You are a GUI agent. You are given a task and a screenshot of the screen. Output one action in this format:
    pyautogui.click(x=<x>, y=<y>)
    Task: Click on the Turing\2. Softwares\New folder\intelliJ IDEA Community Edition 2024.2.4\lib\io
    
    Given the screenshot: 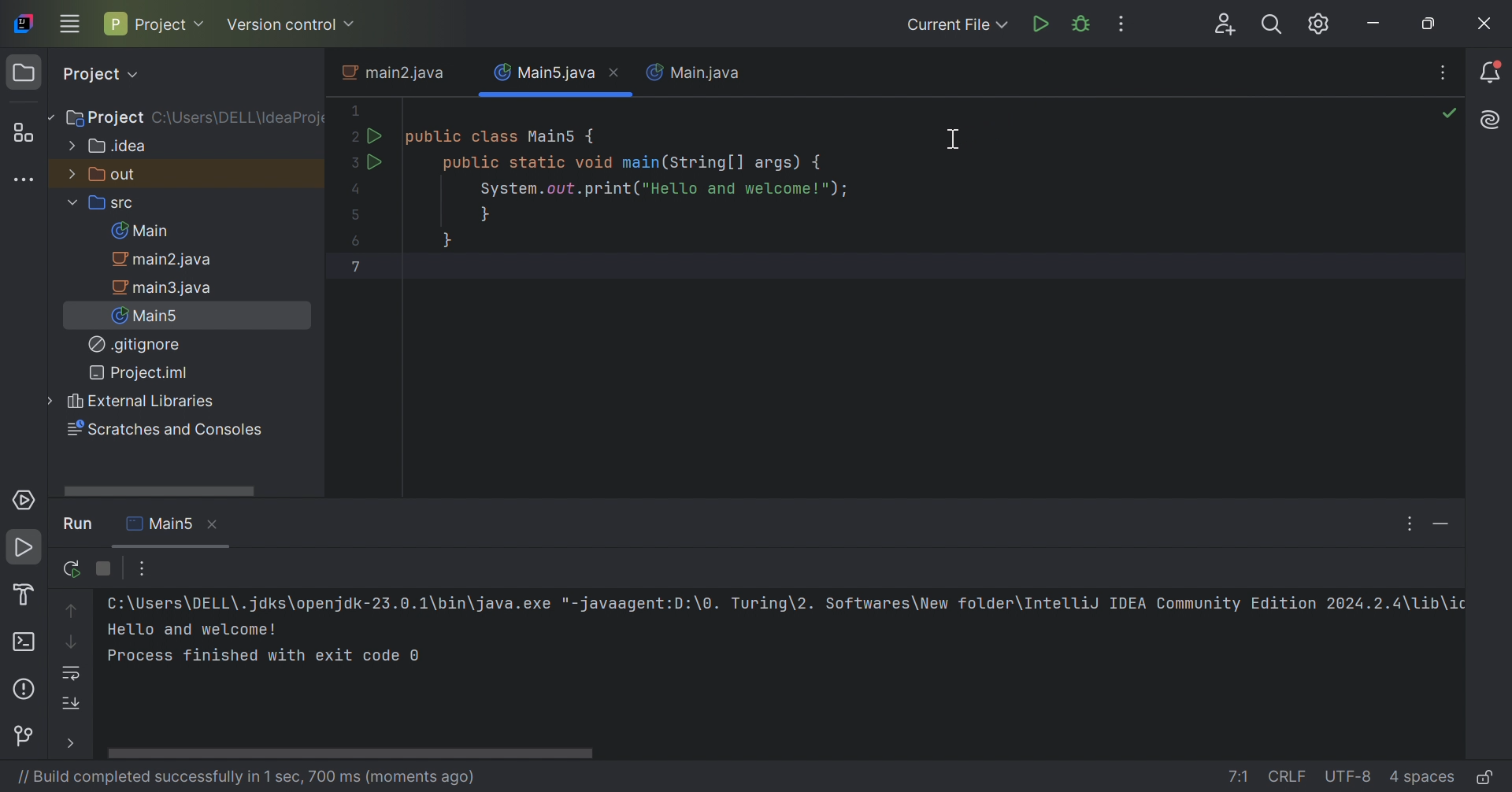 What is the action you would take?
    pyautogui.click(x=1095, y=603)
    